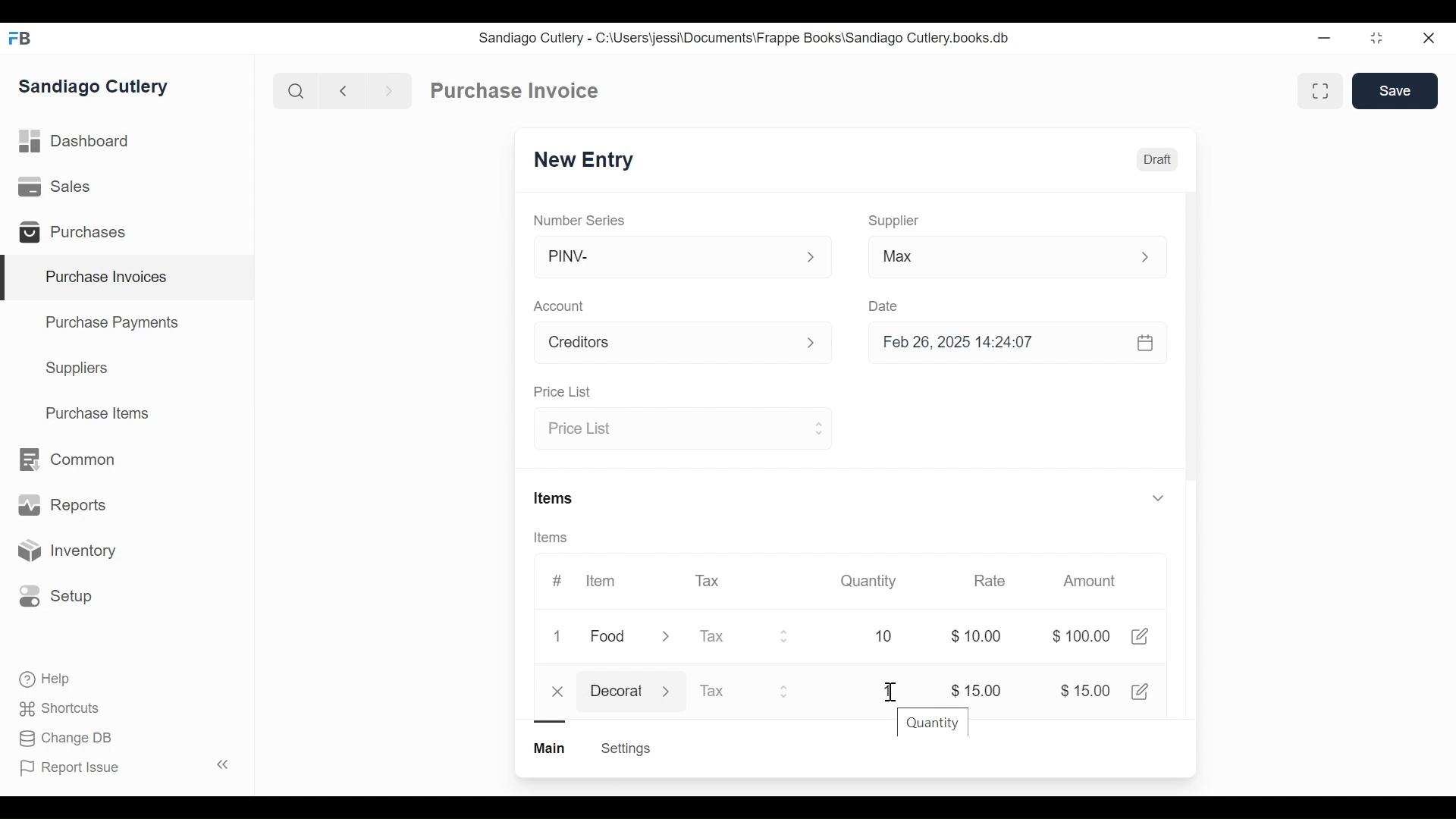 This screenshot has width=1456, height=819. I want to click on Tax, so click(730, 636).